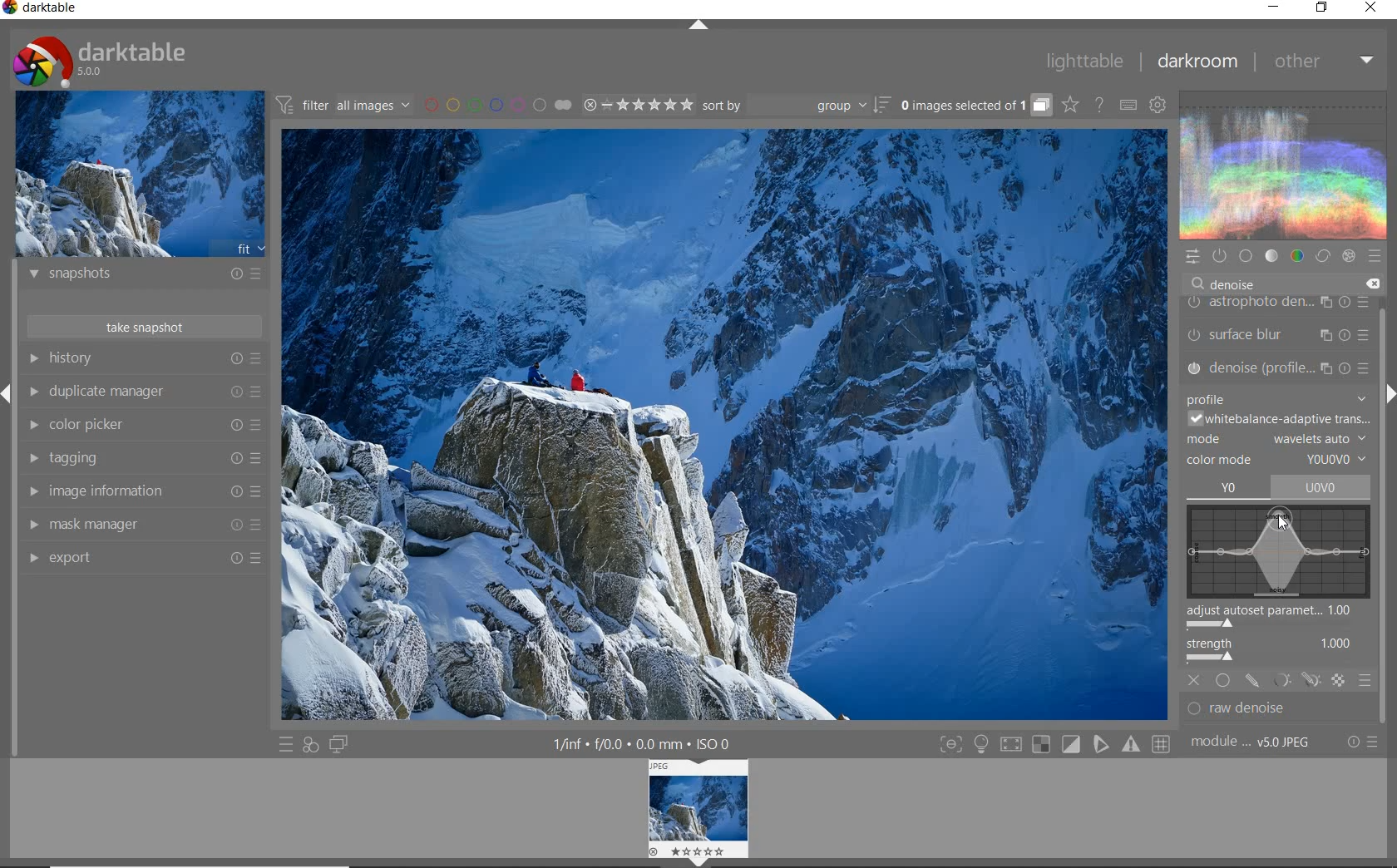 The height and width of the screenshot is (868, 1397). What do you see at coordinates (720, 427) in the screenshot?
I see `selected image` at bounding box center [720, 427].